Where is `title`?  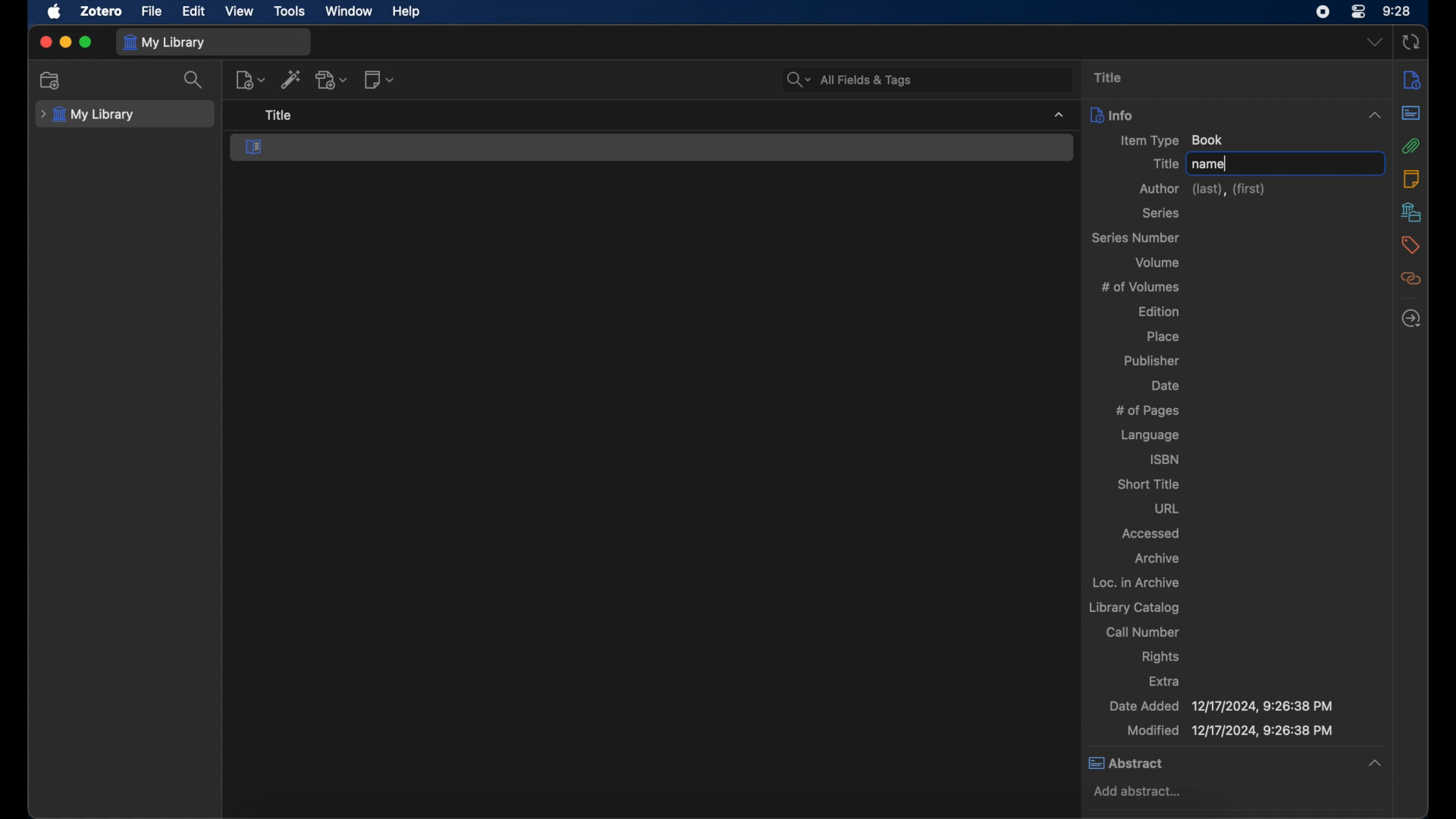
title is located at coordinates (278, 115).